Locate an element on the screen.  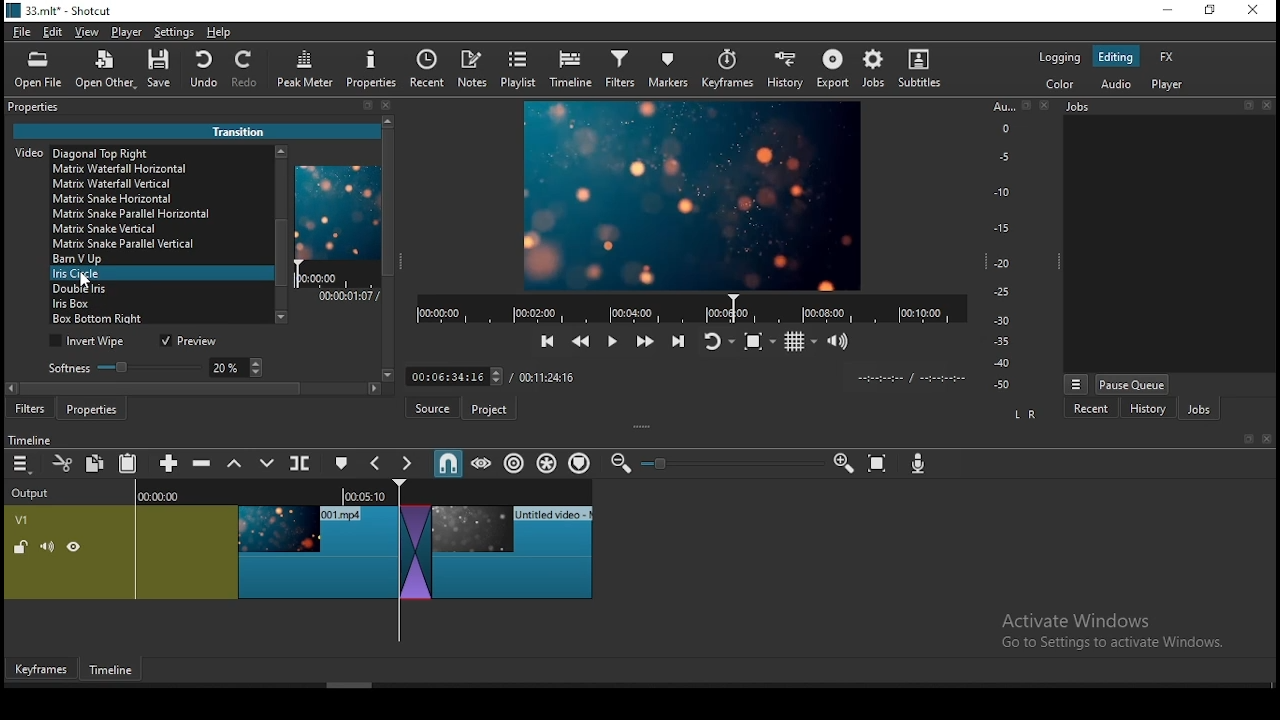
settings is located at coordinates (175, 35).